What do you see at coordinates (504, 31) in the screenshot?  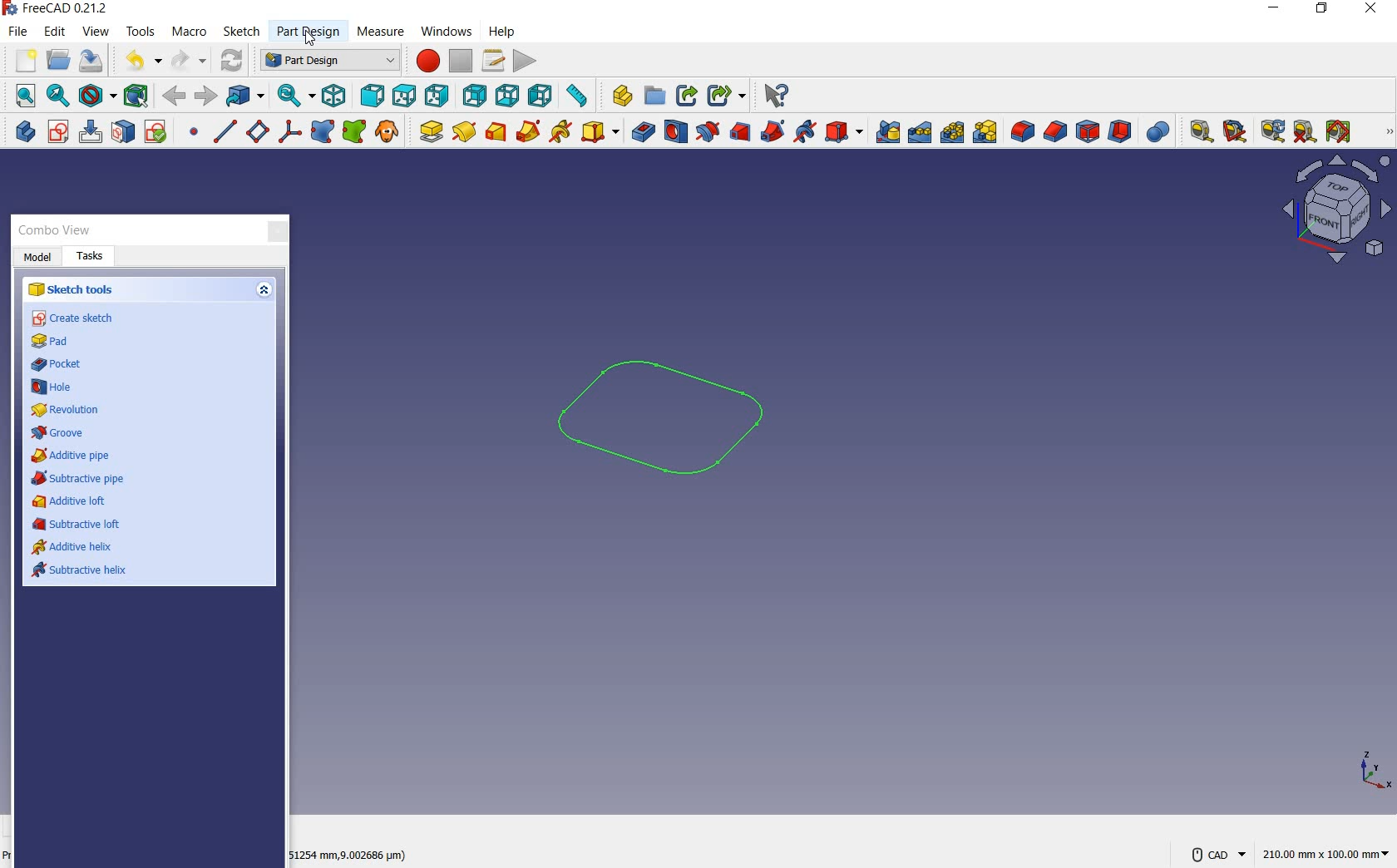 I see `help` at bounding box center [504, 31].